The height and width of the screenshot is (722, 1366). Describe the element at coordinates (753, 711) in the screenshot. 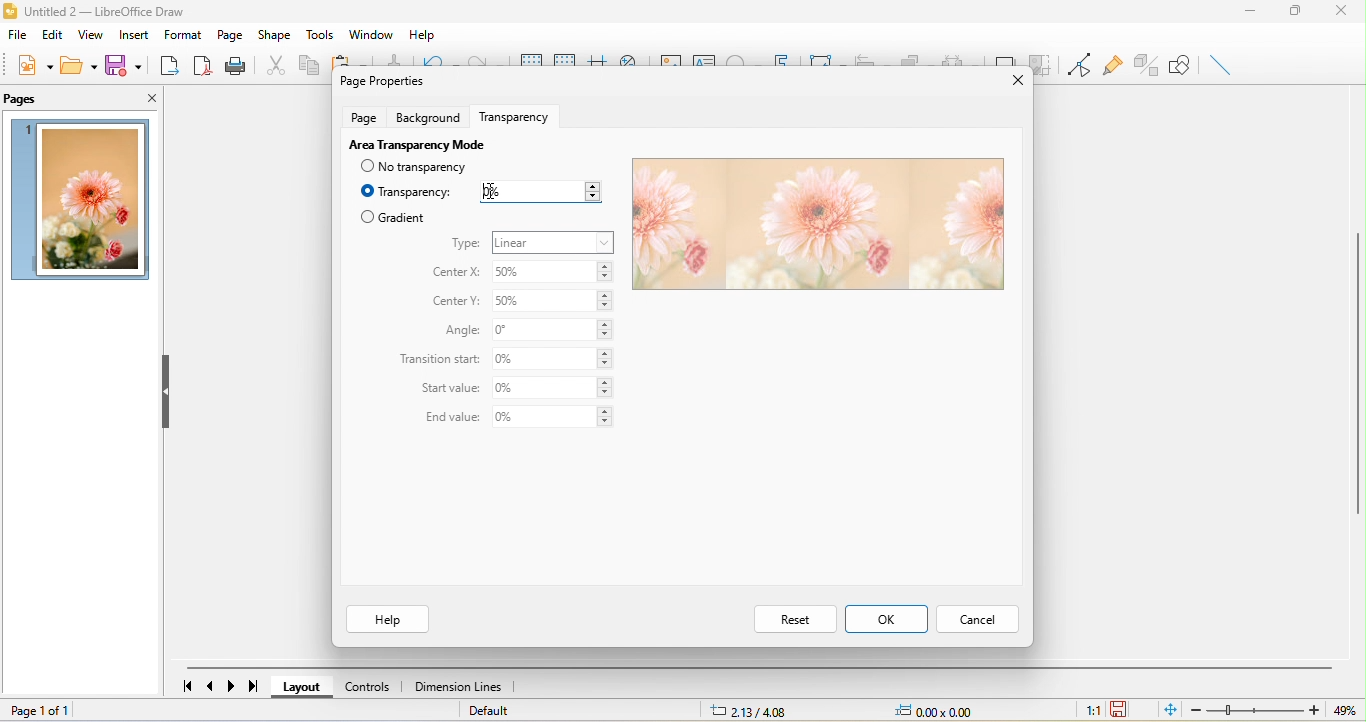

I see `2.13/4.08` at that location.